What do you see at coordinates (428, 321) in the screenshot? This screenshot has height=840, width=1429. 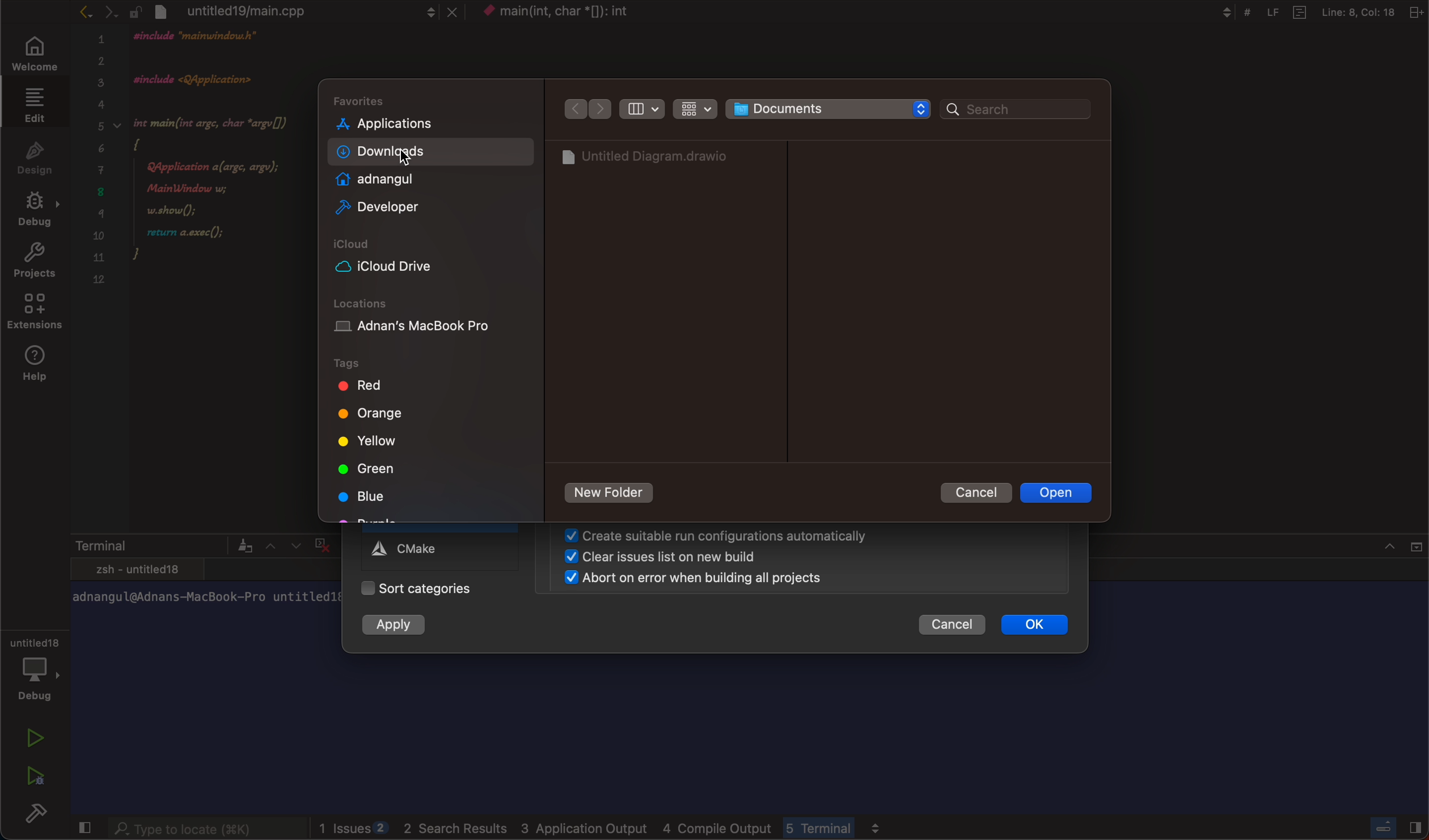 I see `location` at bounding box center [428, 321].